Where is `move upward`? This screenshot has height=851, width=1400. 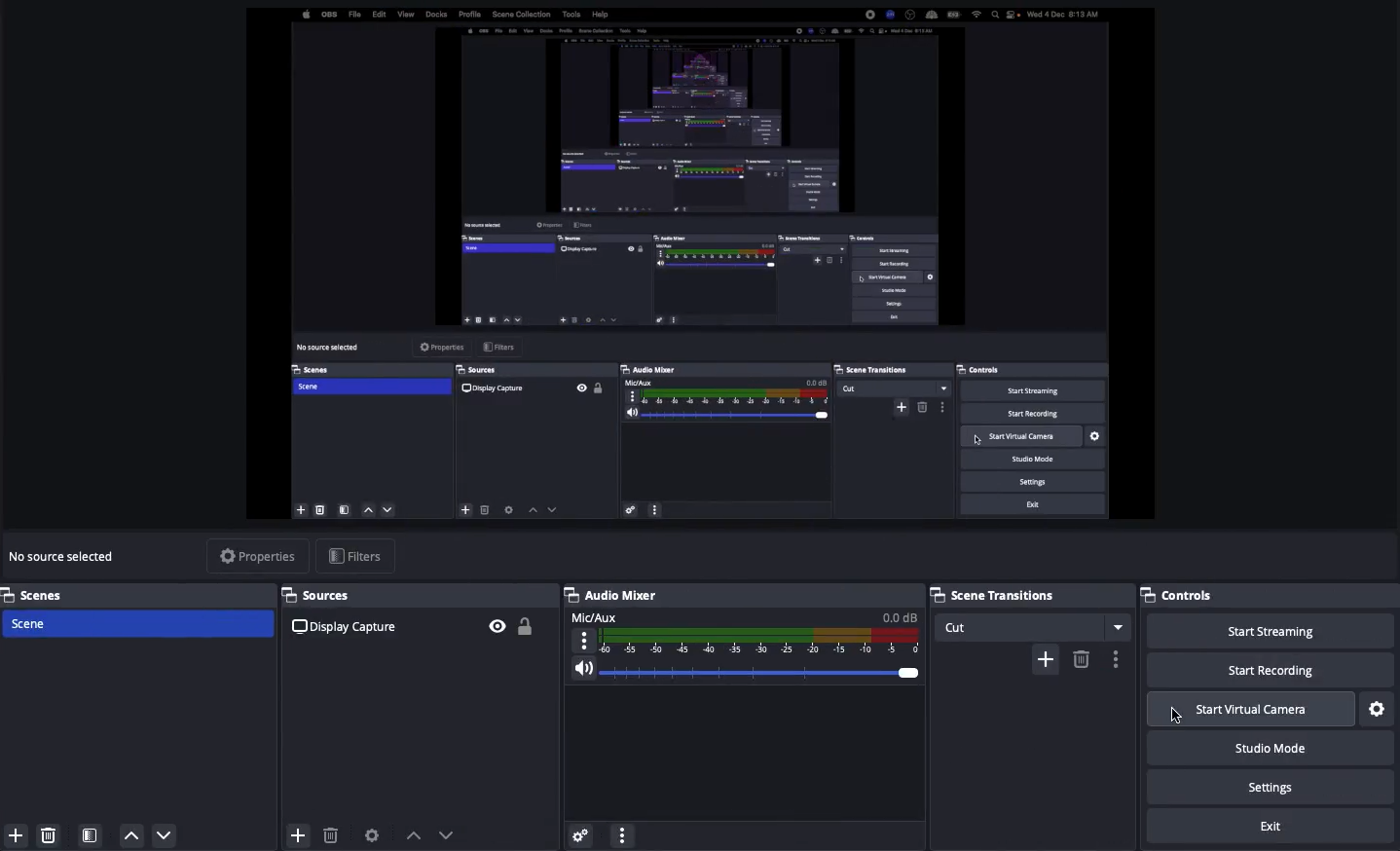 move upward is located at coordinates (409, 832).